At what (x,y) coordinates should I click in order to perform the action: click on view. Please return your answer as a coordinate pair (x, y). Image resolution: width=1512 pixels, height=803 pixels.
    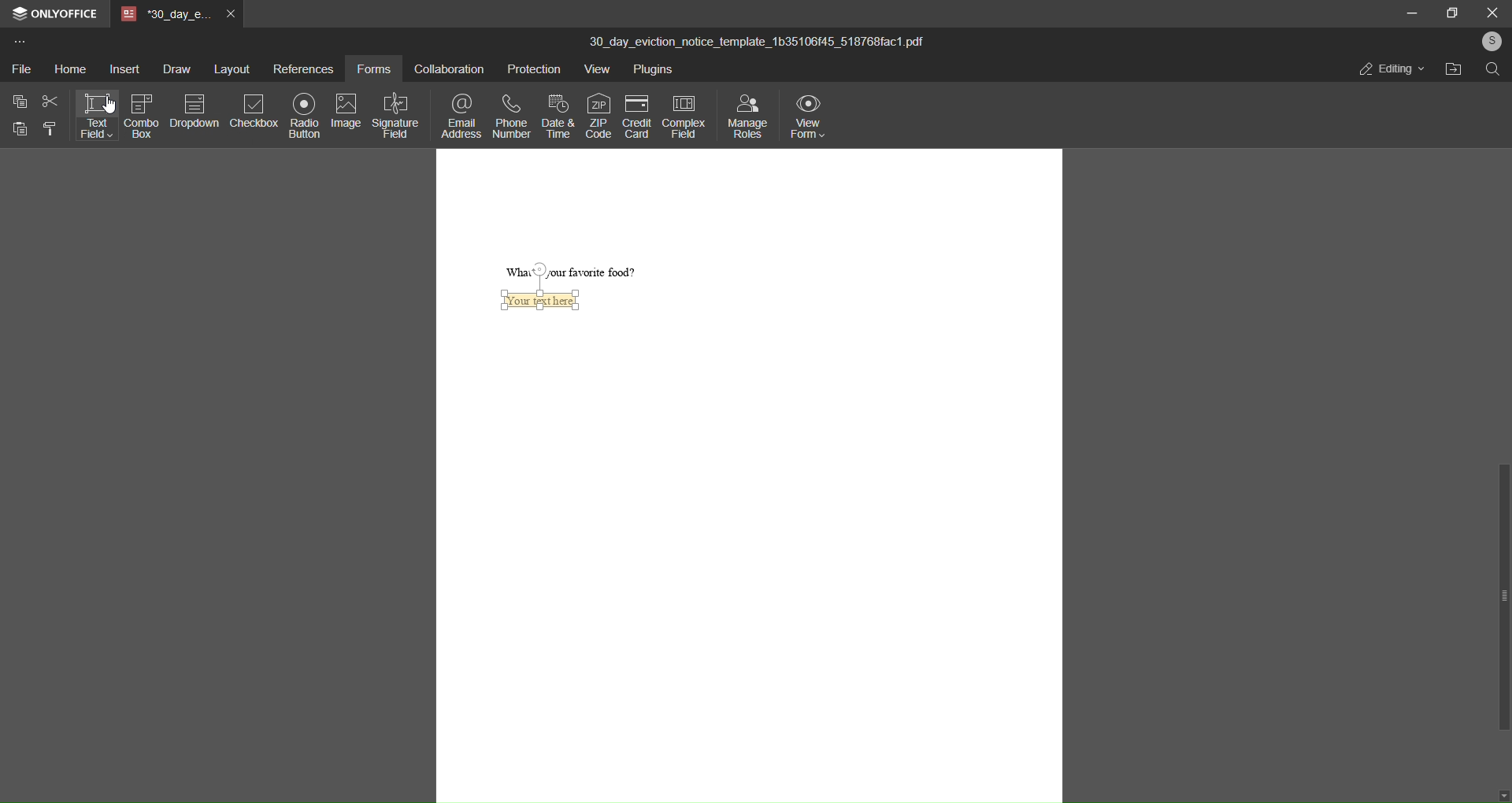
    Looking at the image, I should click on (595, 70).